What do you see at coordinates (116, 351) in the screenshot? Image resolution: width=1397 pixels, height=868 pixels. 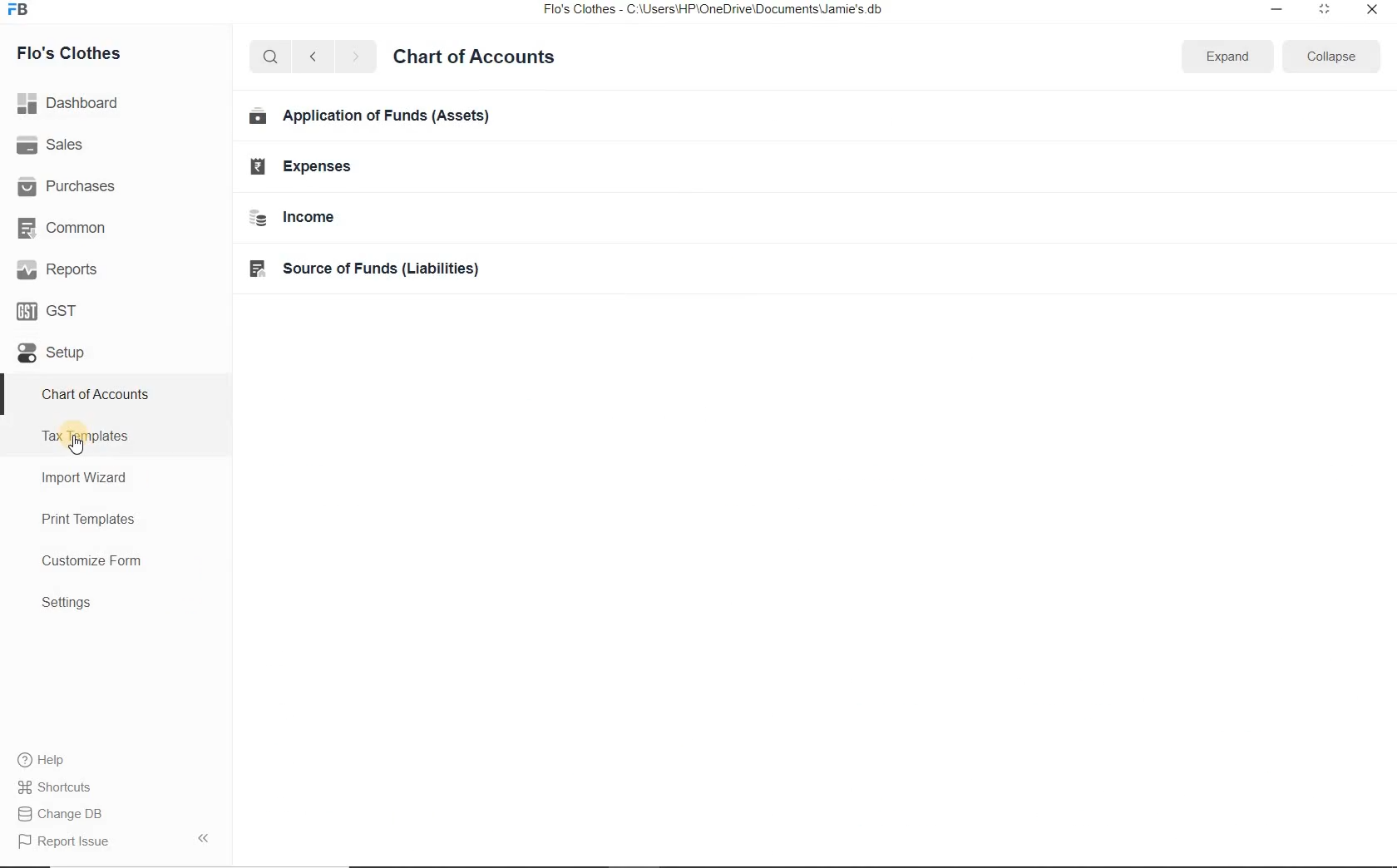 I see `Setup` at bounding box center [116, 351].